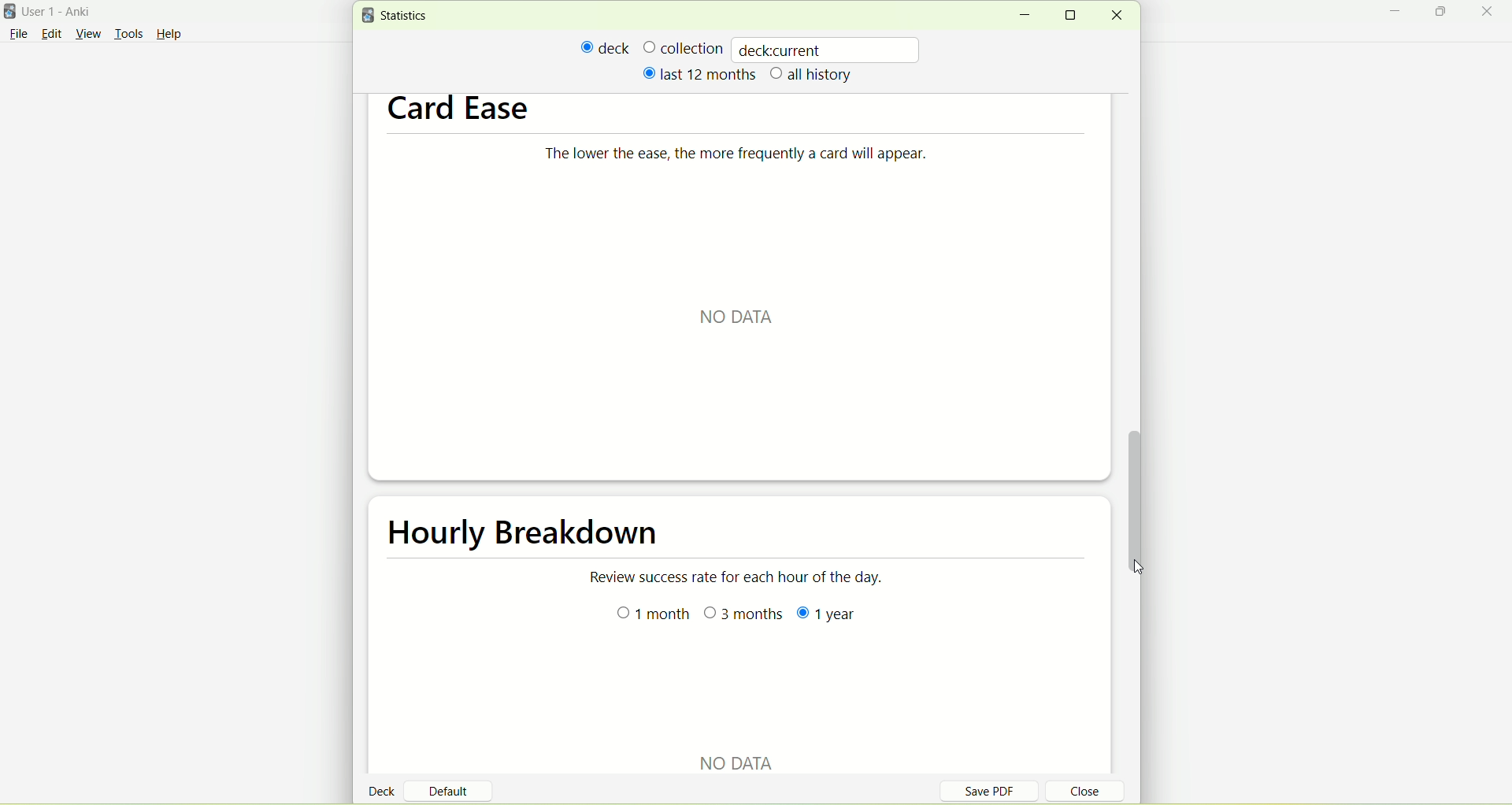 The height and width of the screenshot is (805, 1512). I want to click on close, so click(1116, 16).